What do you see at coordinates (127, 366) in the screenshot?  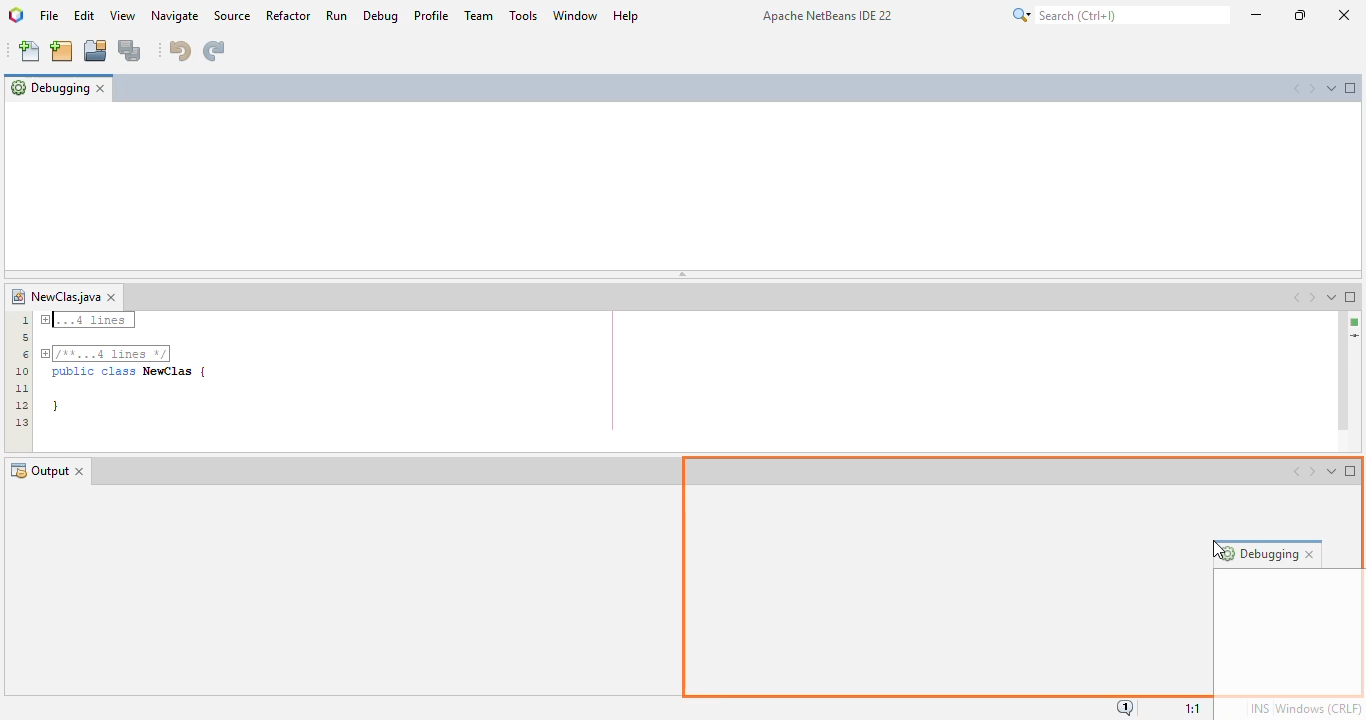 I see `--.4 Lines |
TTT]
public class NewClas |
}` at bounding box center [127, 366].